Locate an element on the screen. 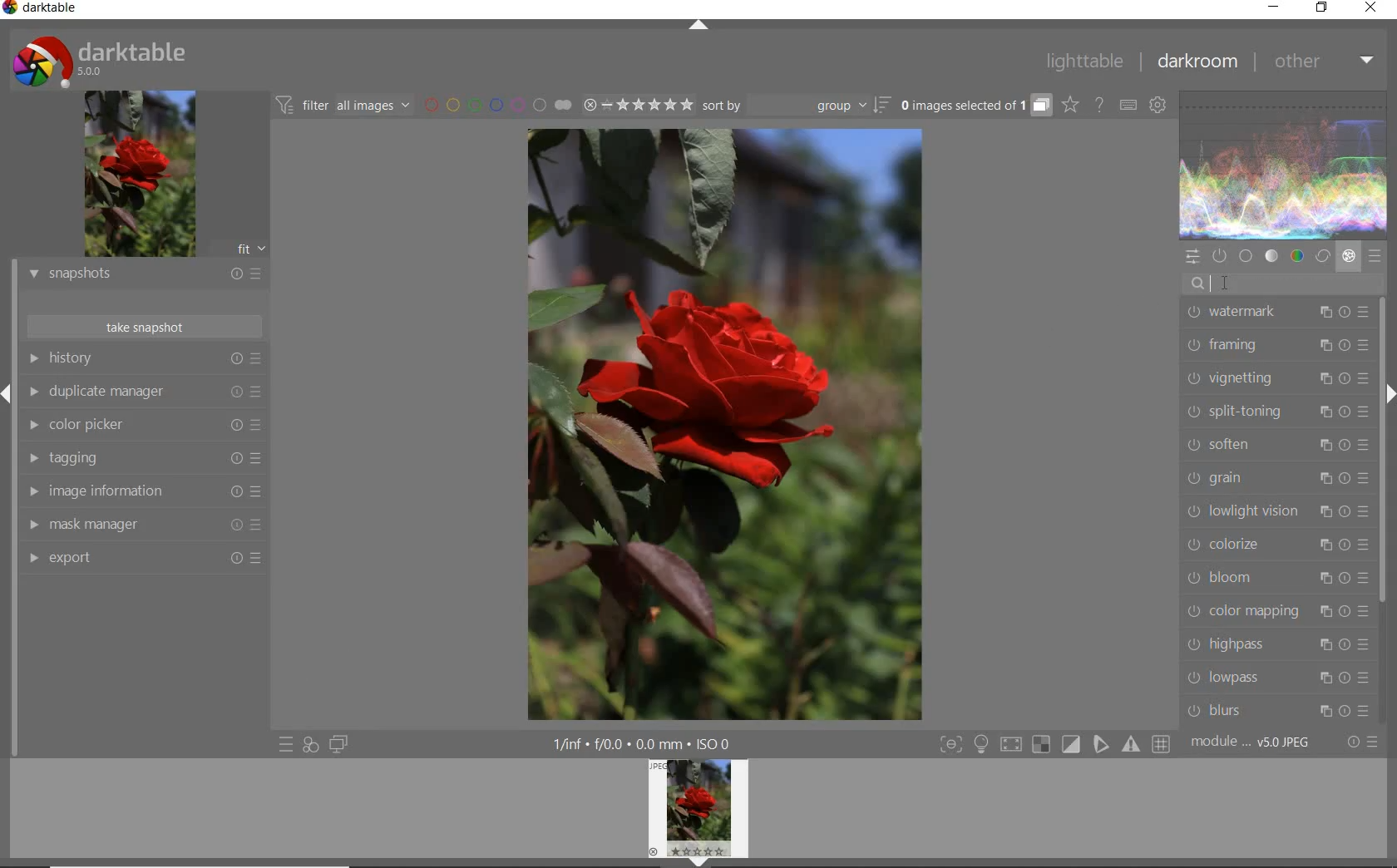  filter images by color labels is located at coordinates (496, 106).